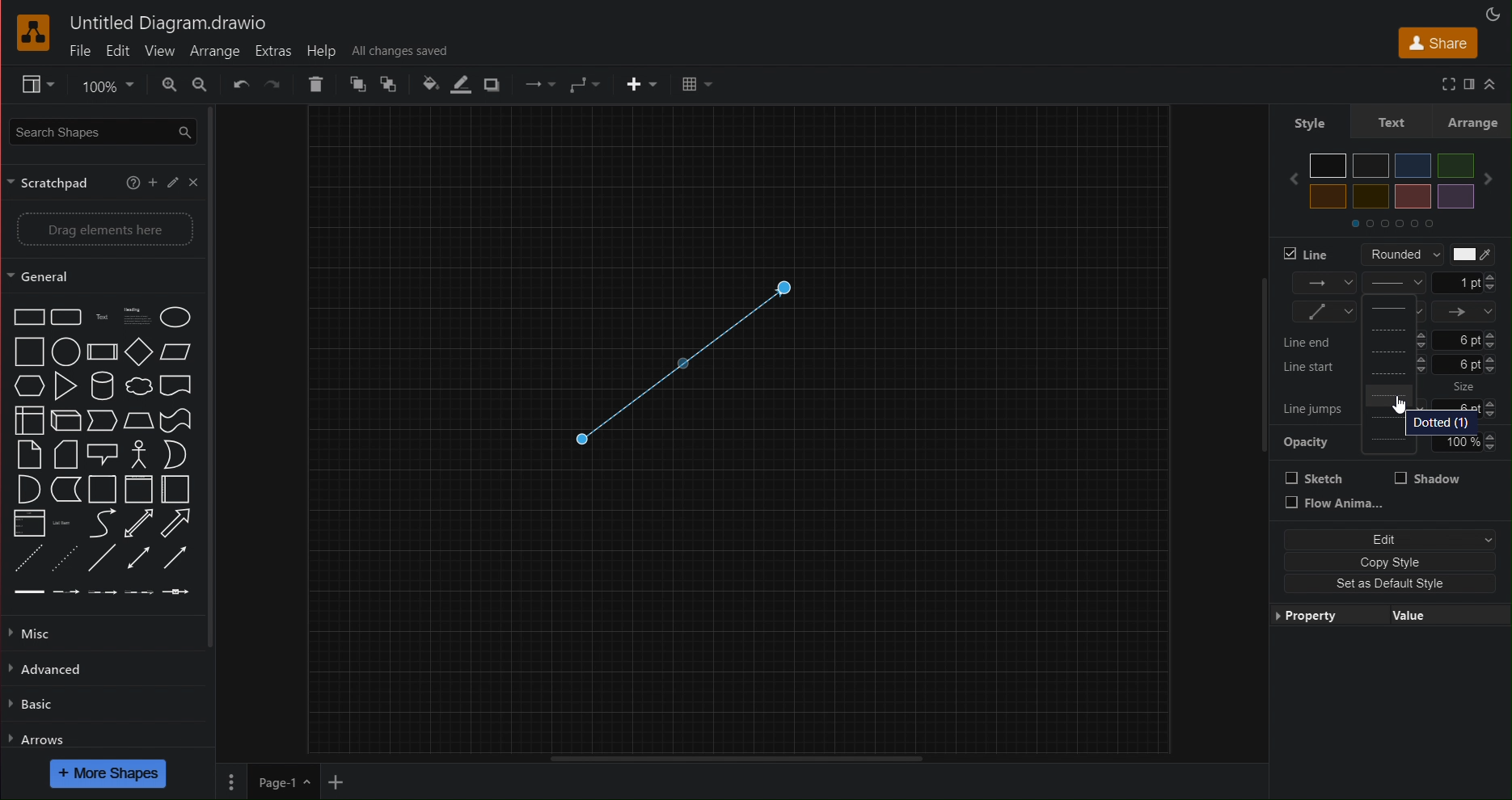 The height and width of the screenshot is (800, 1512). What do you see at coordinates (273, 86) in the screenshot?
I see `Redo` at bounding box center [273, 86].